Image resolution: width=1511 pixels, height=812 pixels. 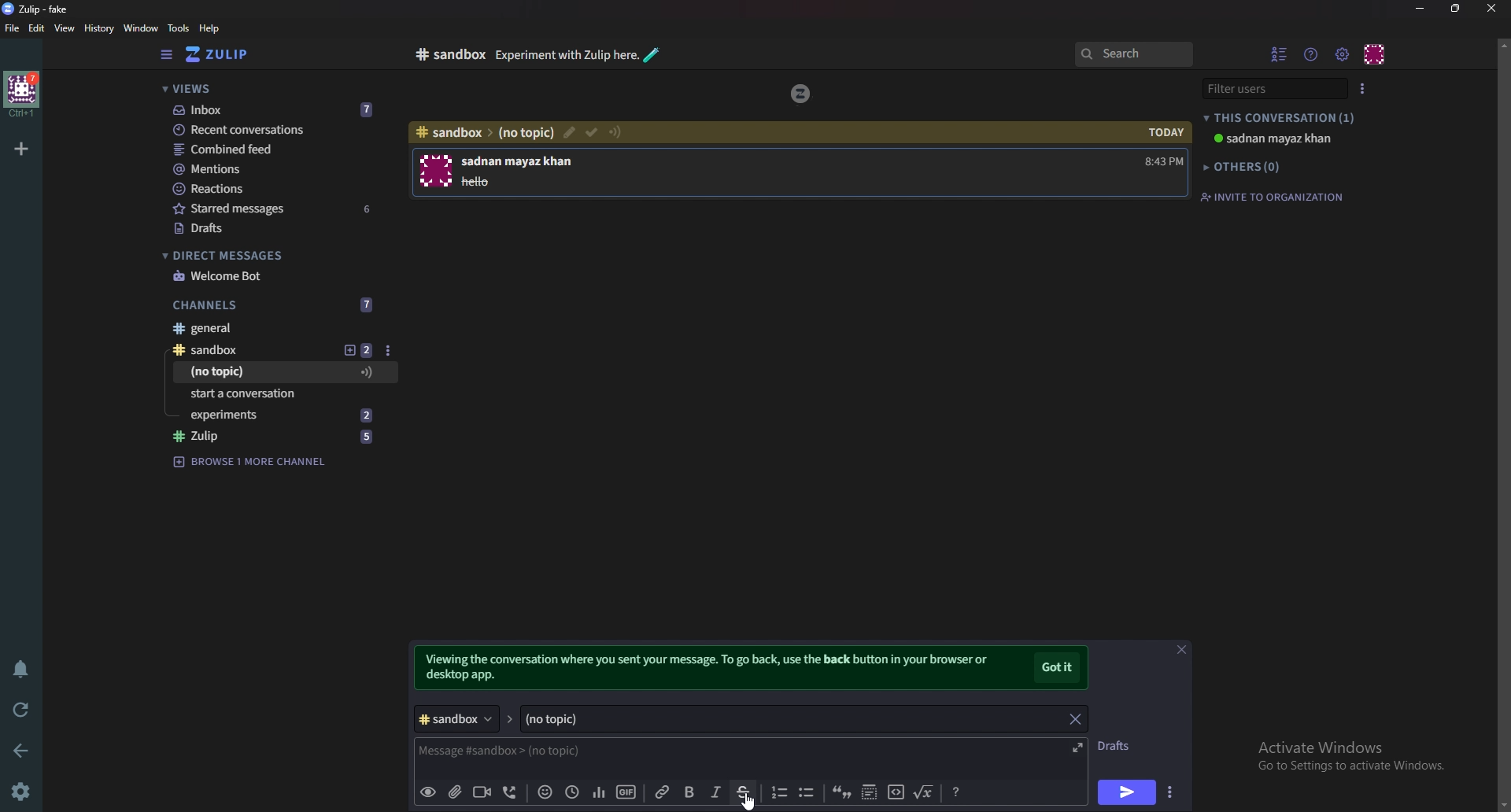 What do you see at coordinates (512, 790) in the screenshot?
I see `voice call` at bounding box center [512, 790].